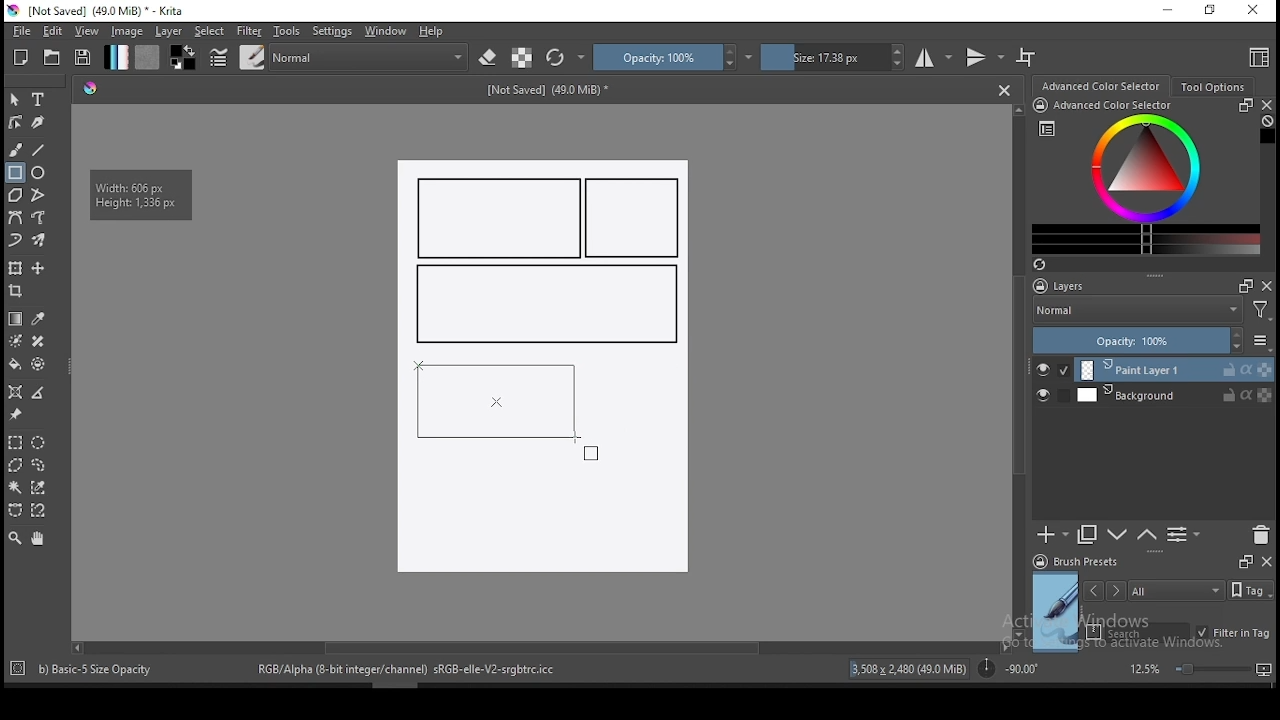  What do you see at coordinates (497, 398) in the screenshot?
I see `active  rectangle` at bounding box center [497, 398].